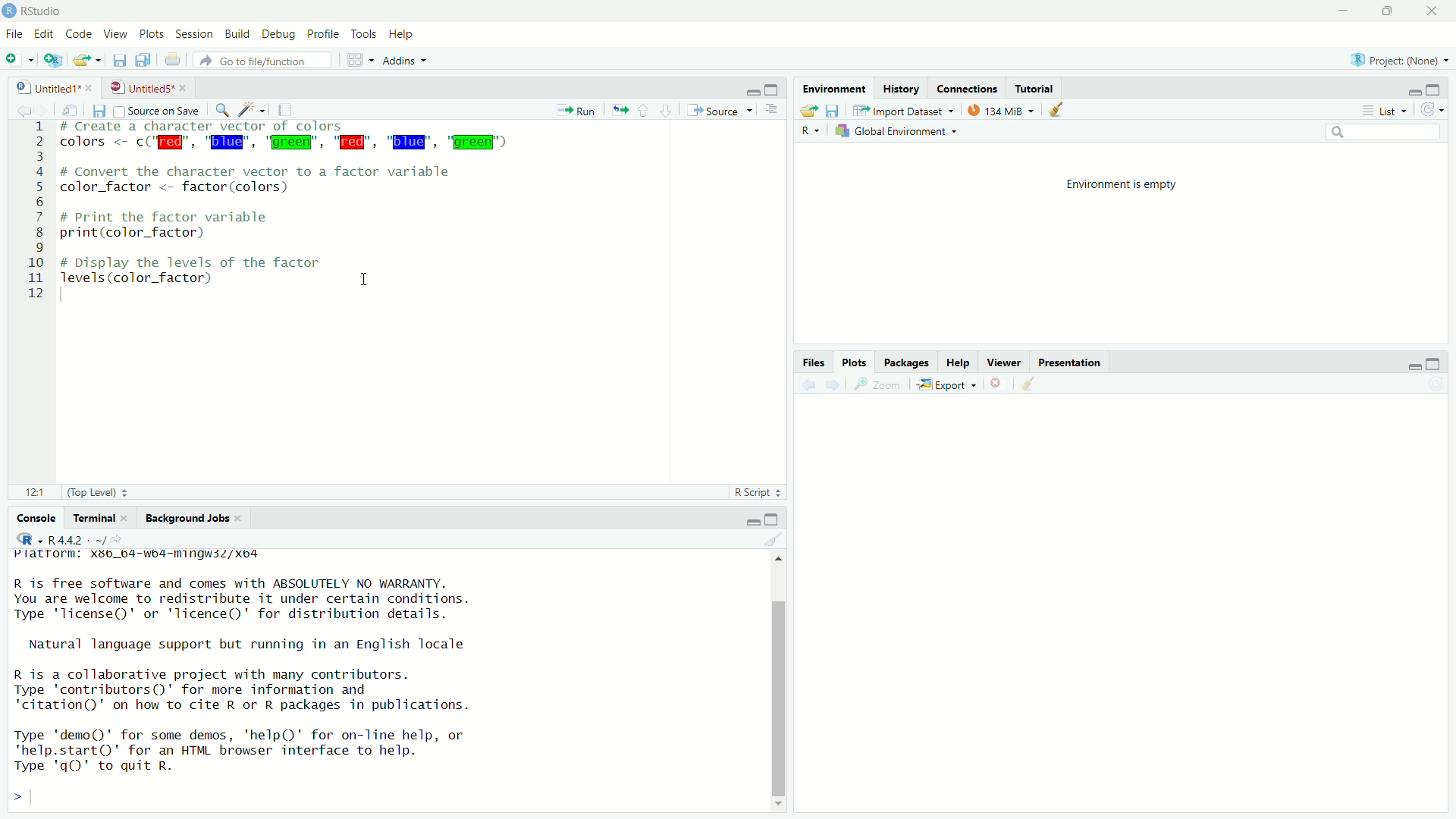 This screenshot has height=819, width=1456. I want to click on new file, so click(19, 59).